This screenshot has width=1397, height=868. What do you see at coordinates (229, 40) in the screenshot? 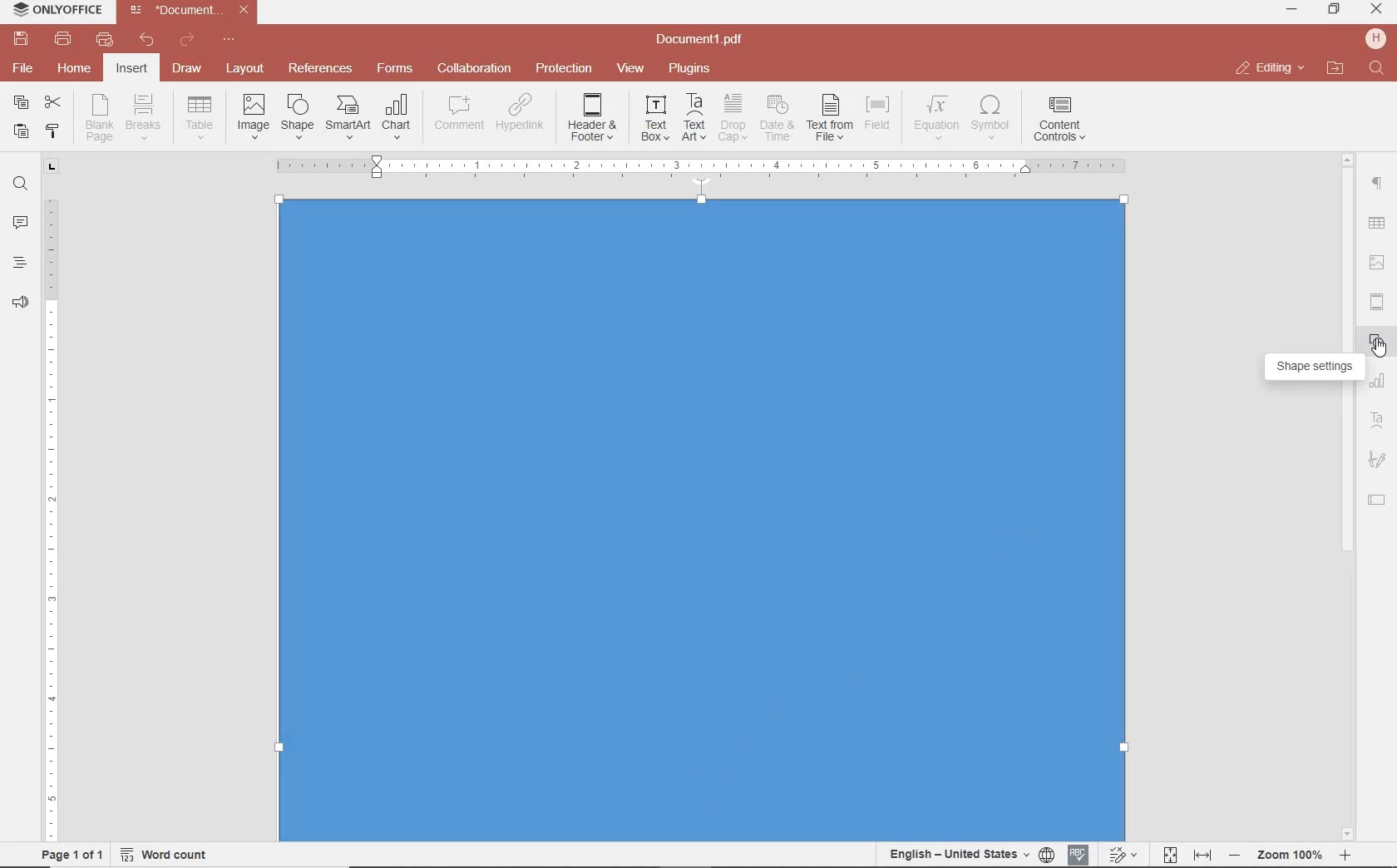
I see `customize quick access toolbar` at bounding box center [229, 40].